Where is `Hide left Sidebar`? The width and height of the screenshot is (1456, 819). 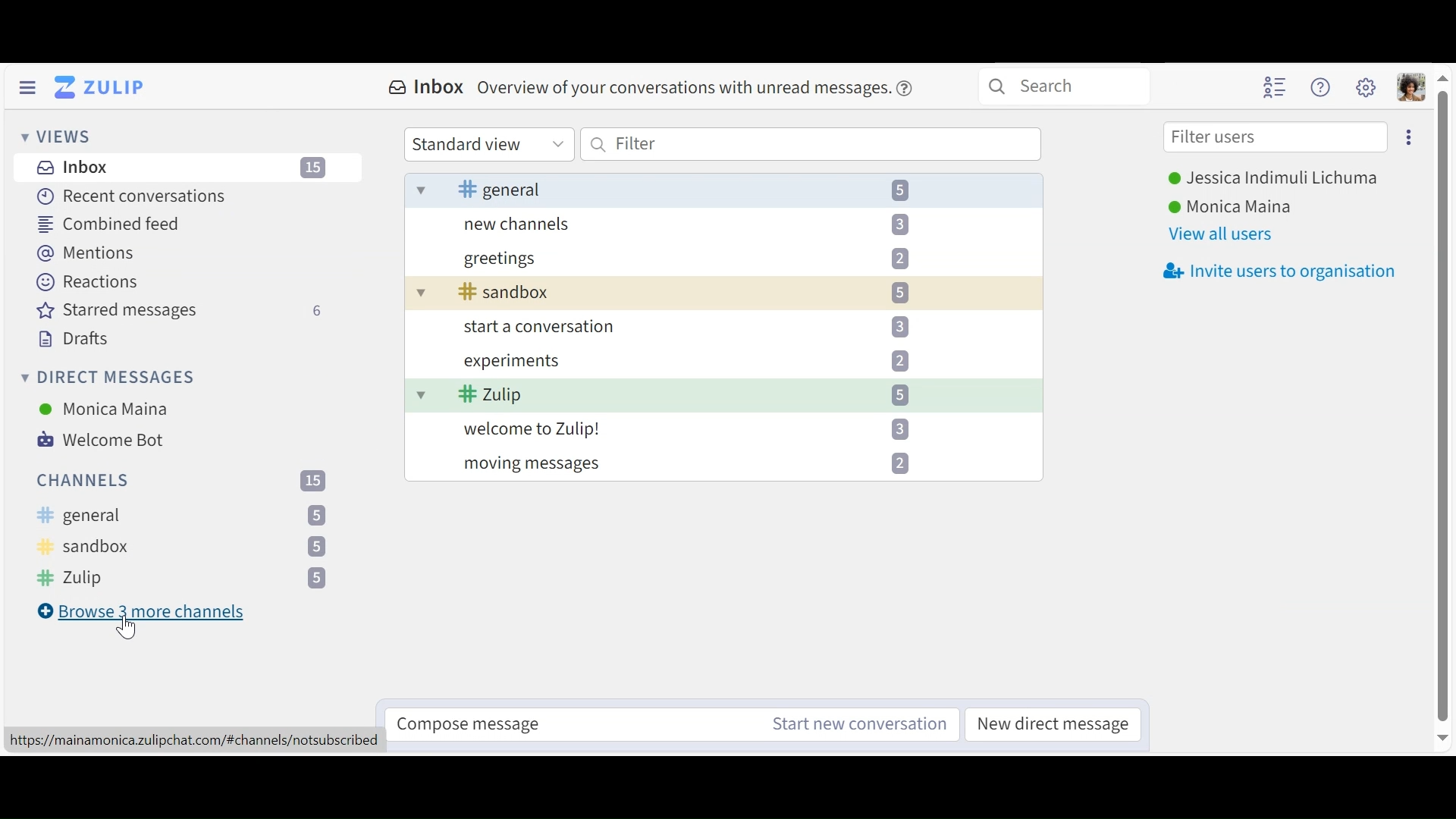
Hide left Sidebar is located at coordinates (26, 86).